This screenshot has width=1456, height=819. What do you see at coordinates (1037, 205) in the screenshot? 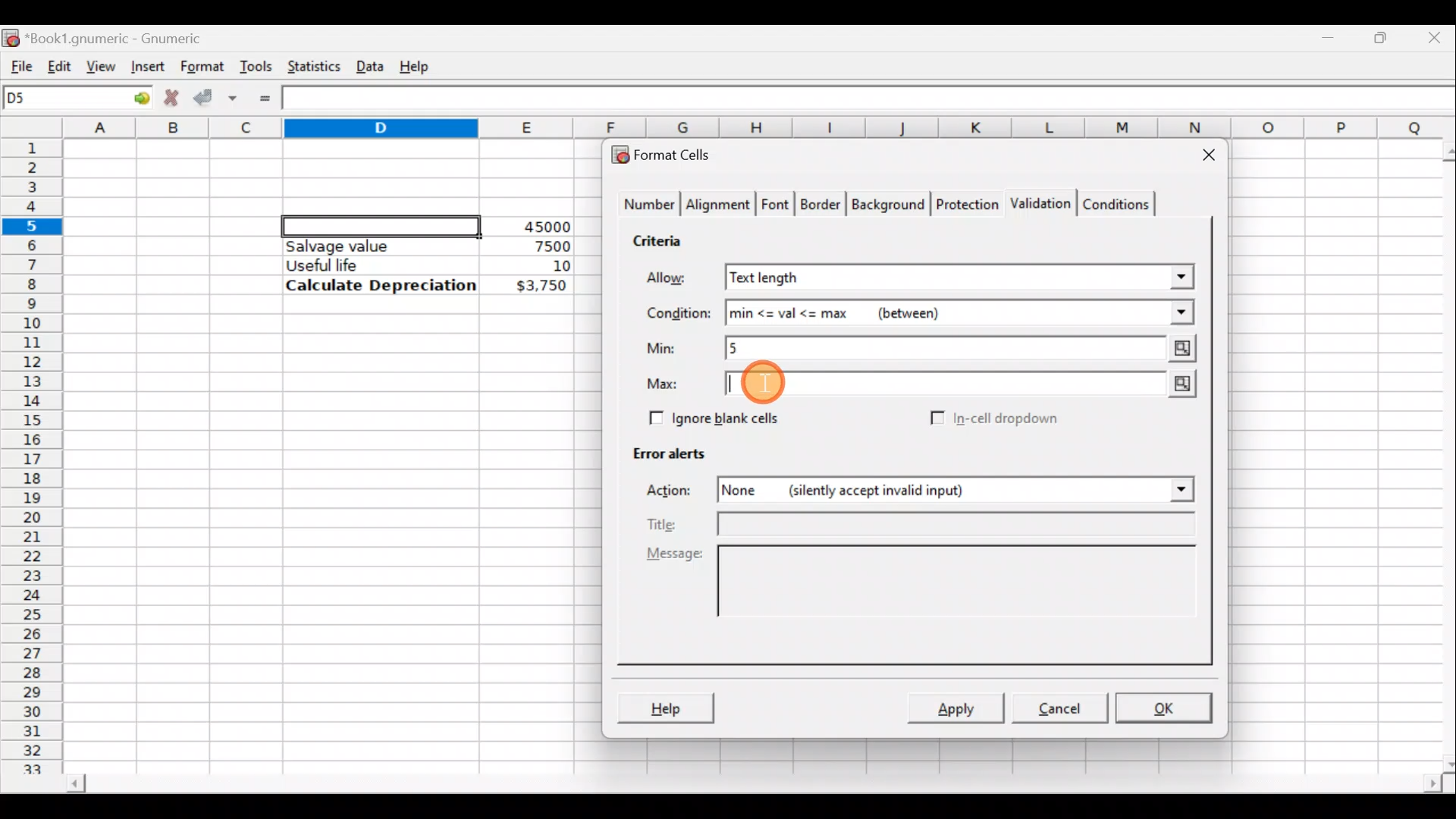
I see `Validation` at bounding box center [1037, 205].